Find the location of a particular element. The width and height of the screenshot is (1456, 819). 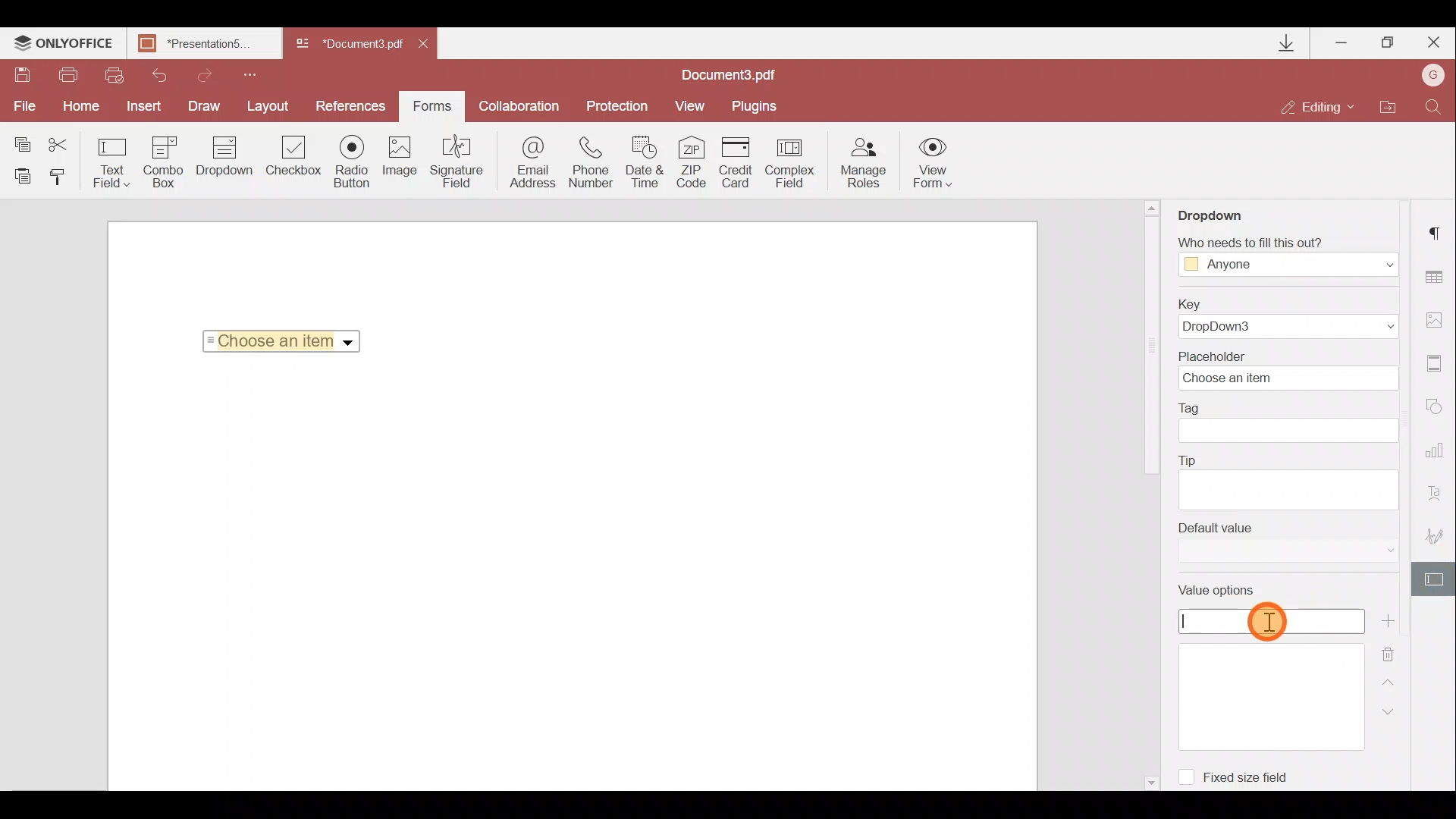

Image is located at coordinates (403, 161).